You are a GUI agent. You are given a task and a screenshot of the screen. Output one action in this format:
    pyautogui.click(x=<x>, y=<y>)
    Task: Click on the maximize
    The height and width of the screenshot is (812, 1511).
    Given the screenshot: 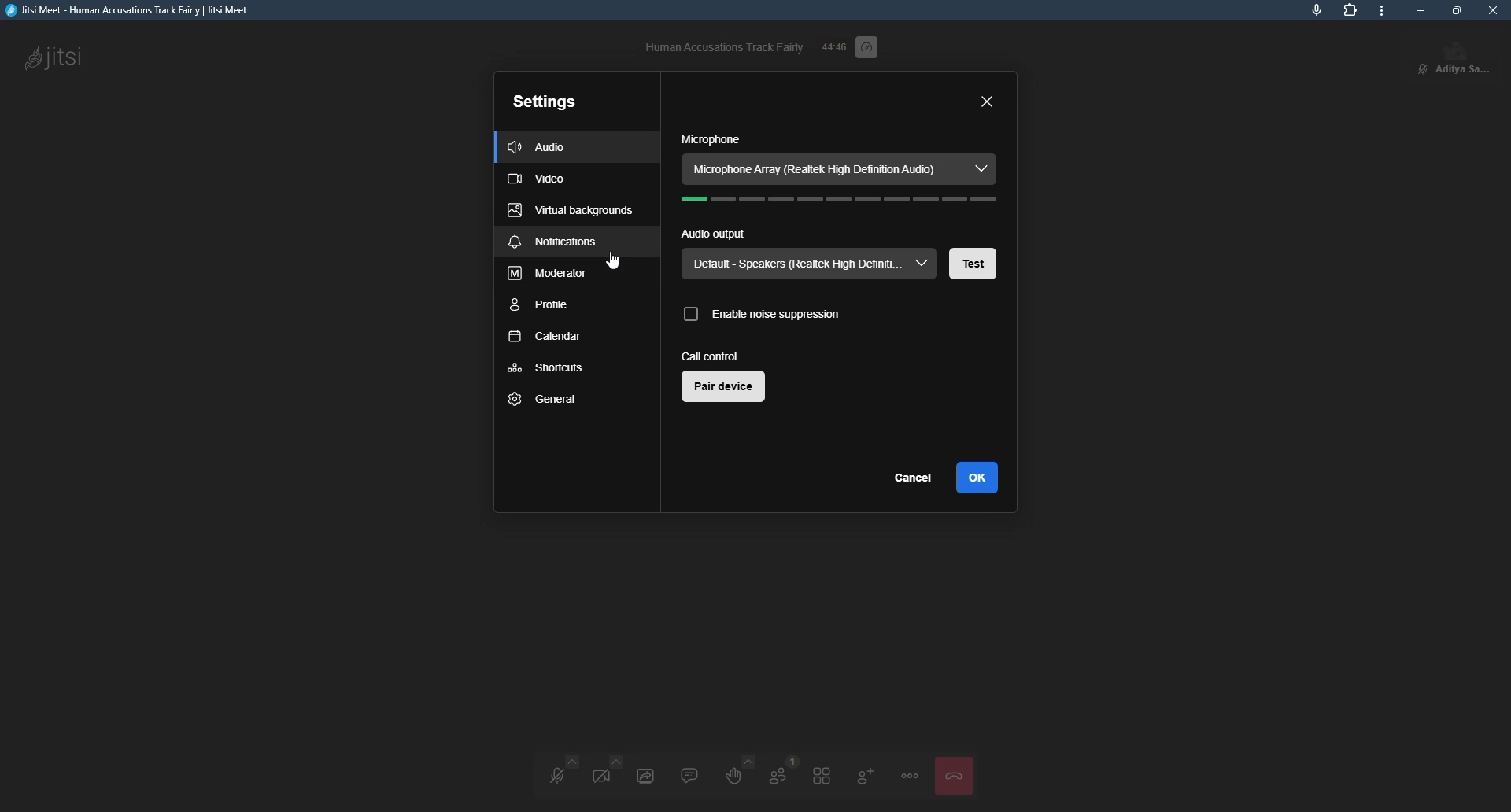 What is the action you would take?
    pyautogui.click(x=1457, y=10)
    